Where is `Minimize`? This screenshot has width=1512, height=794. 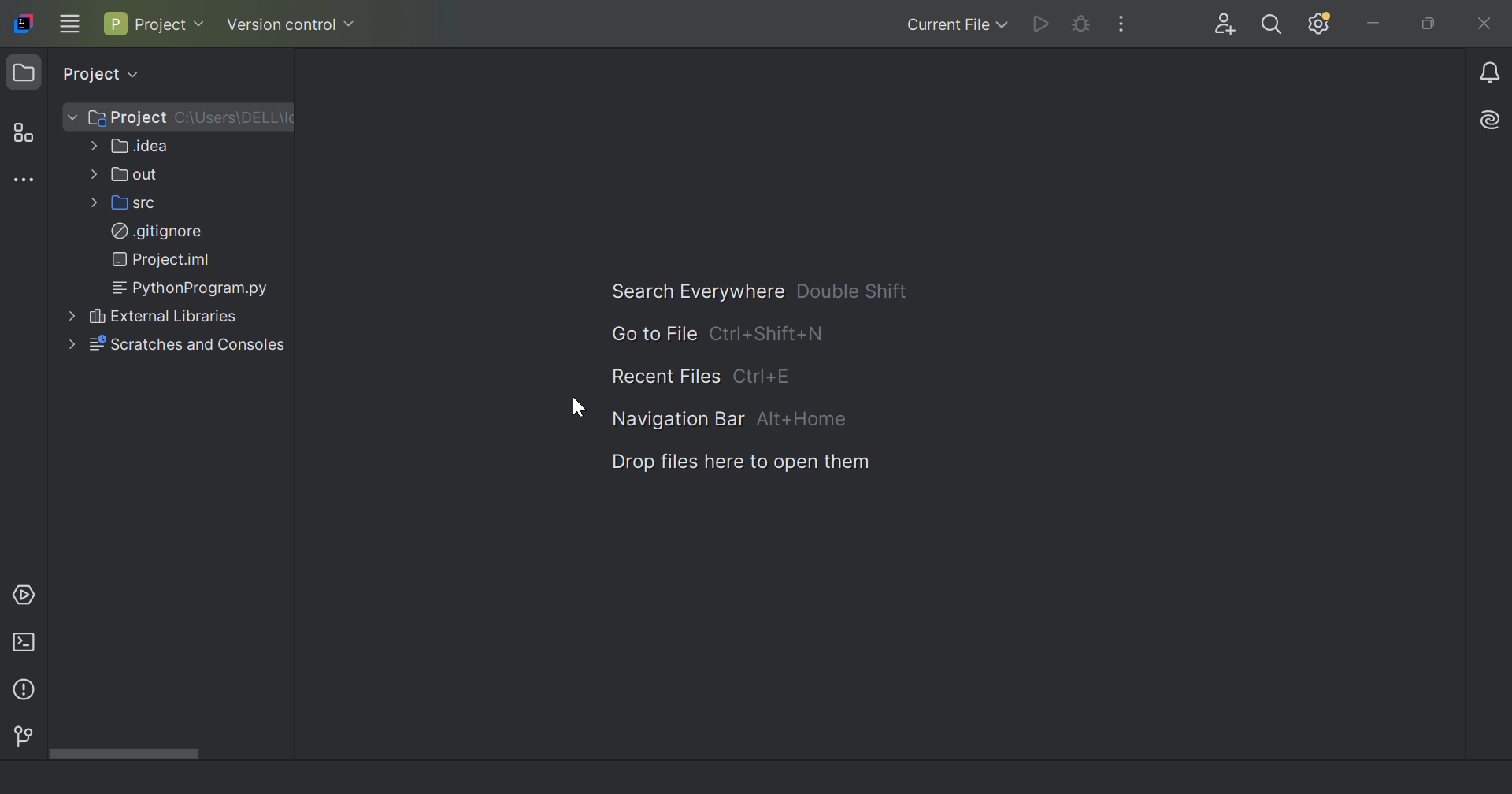
Minimize is located at coordinates (1379, 25).